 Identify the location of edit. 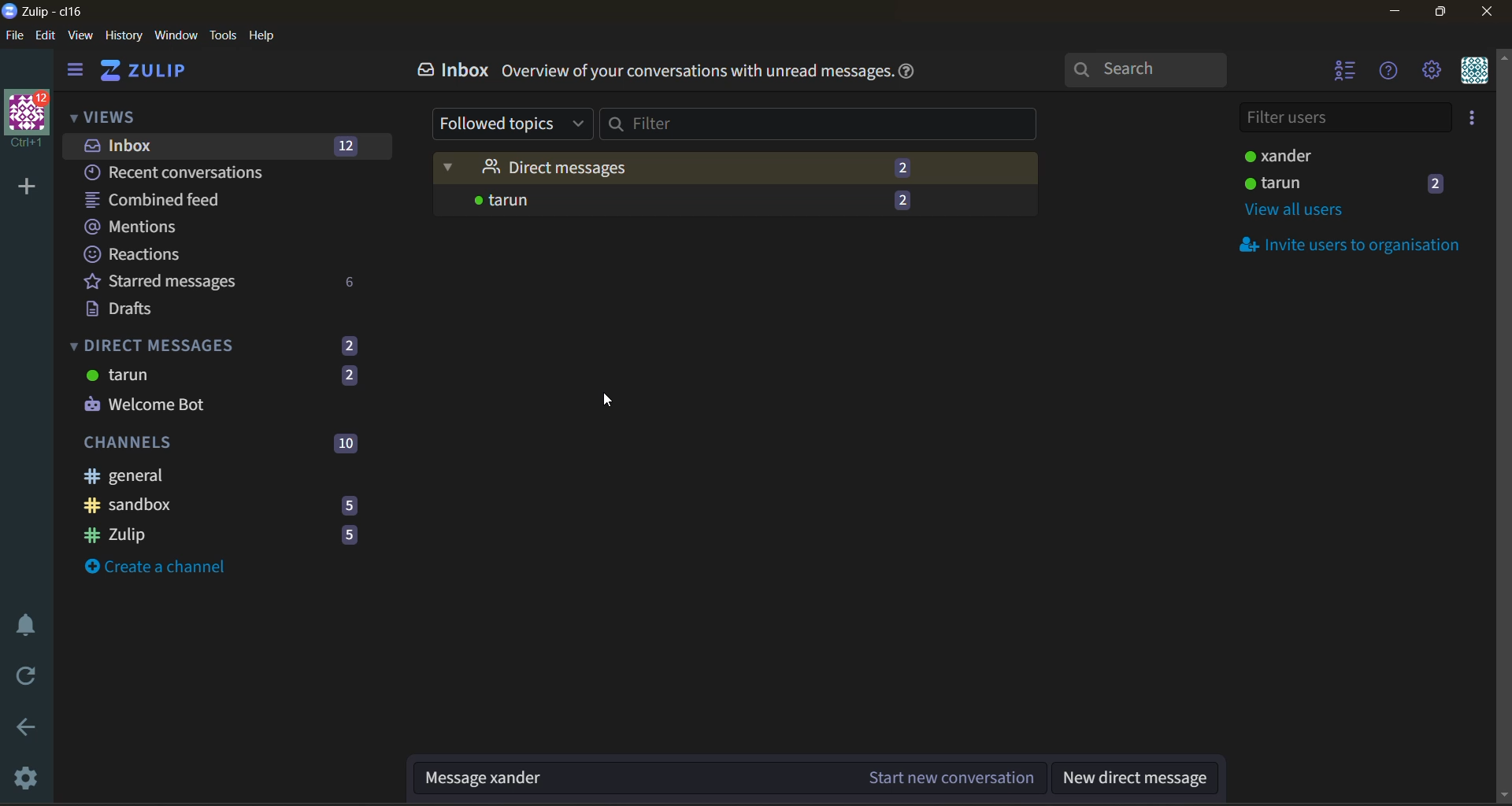
(46, 36).